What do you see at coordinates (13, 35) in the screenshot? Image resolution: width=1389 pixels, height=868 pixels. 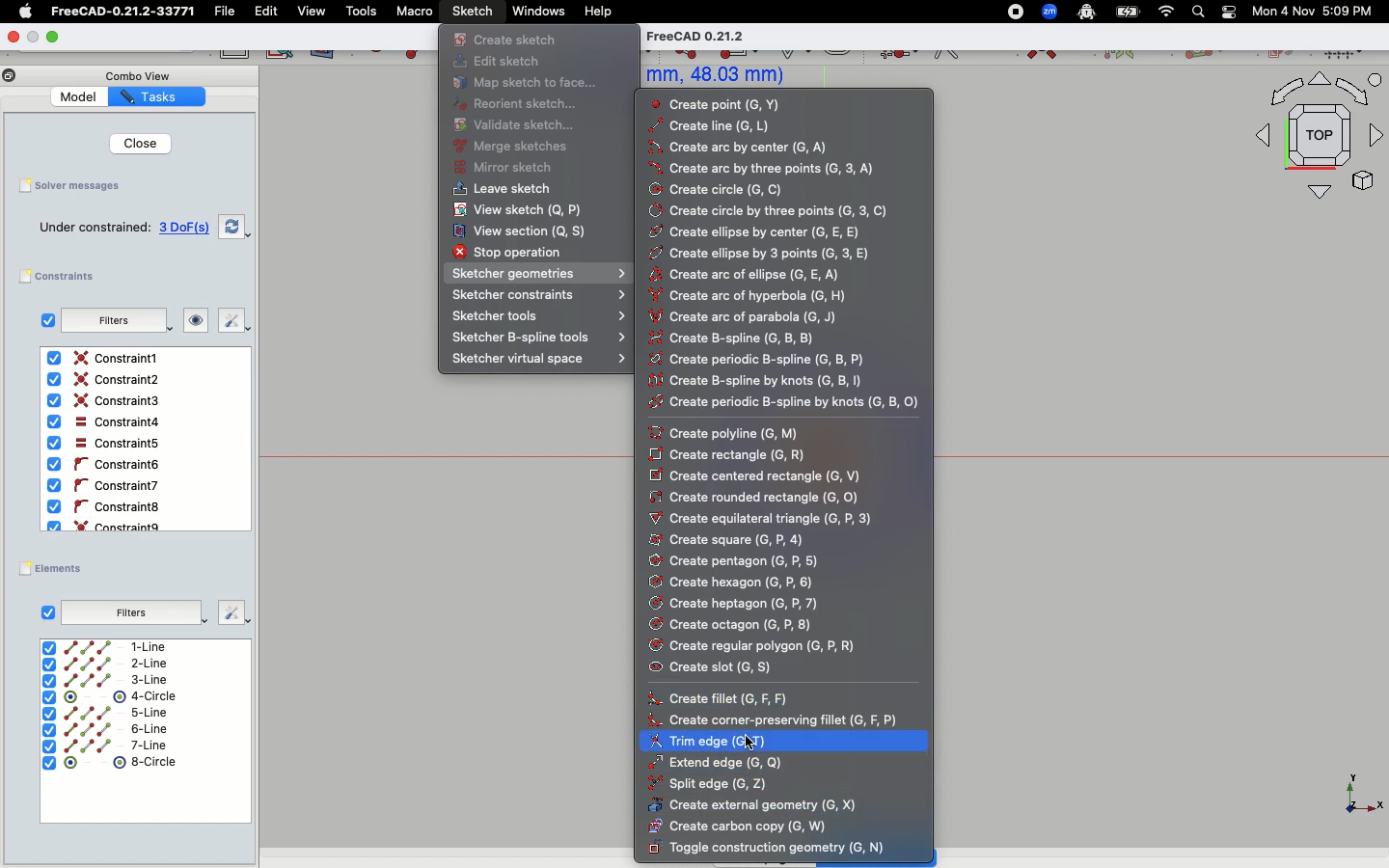 I see `Close` at bounding box center [13, 35].